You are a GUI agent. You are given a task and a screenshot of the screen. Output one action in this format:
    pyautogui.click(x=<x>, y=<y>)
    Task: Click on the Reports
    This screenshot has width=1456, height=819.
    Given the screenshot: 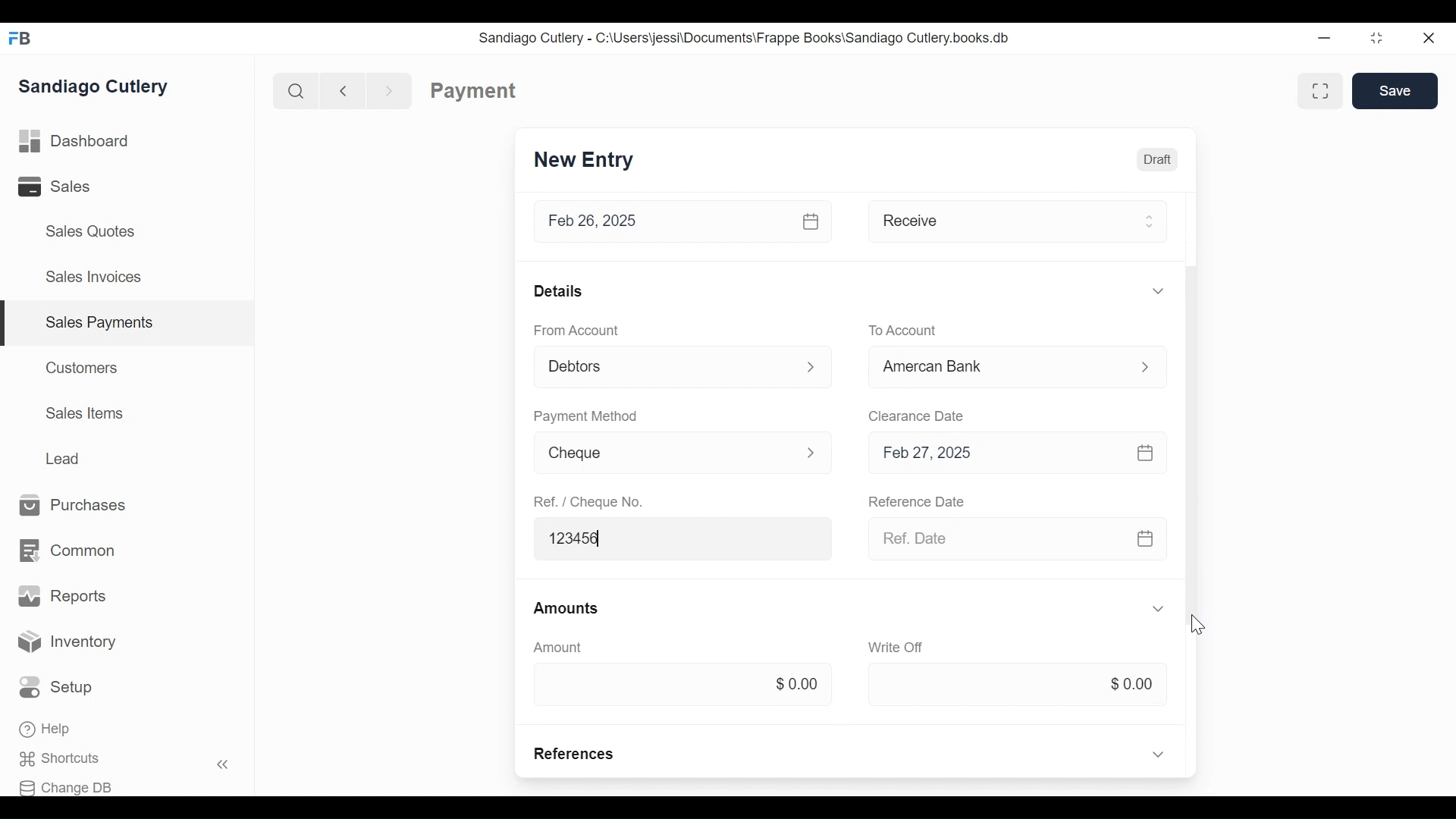 What is the action you would take?
    pyautogui.click(x=62, y=596)
    